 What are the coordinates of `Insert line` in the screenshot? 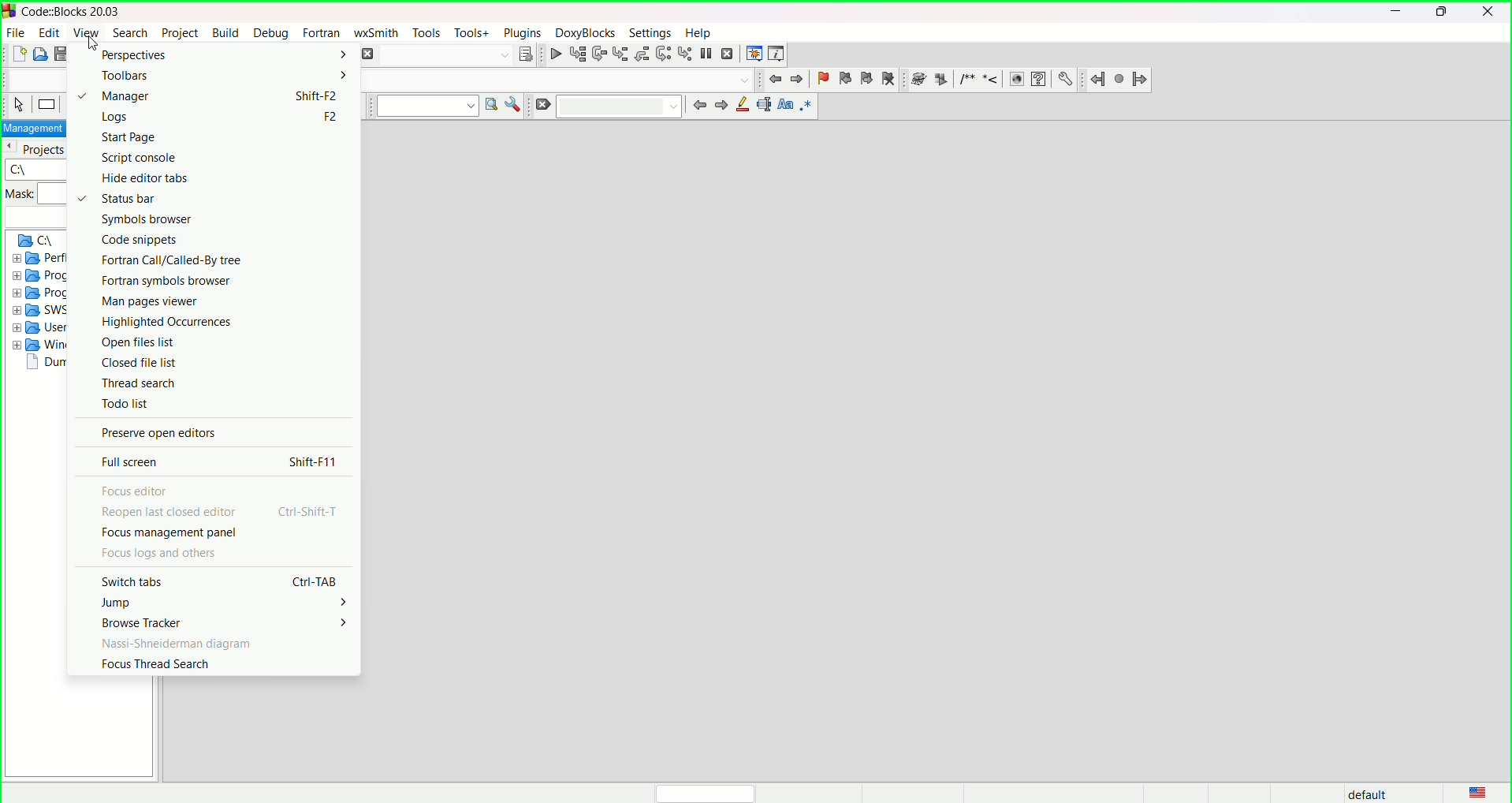 It's located at (989, 80).